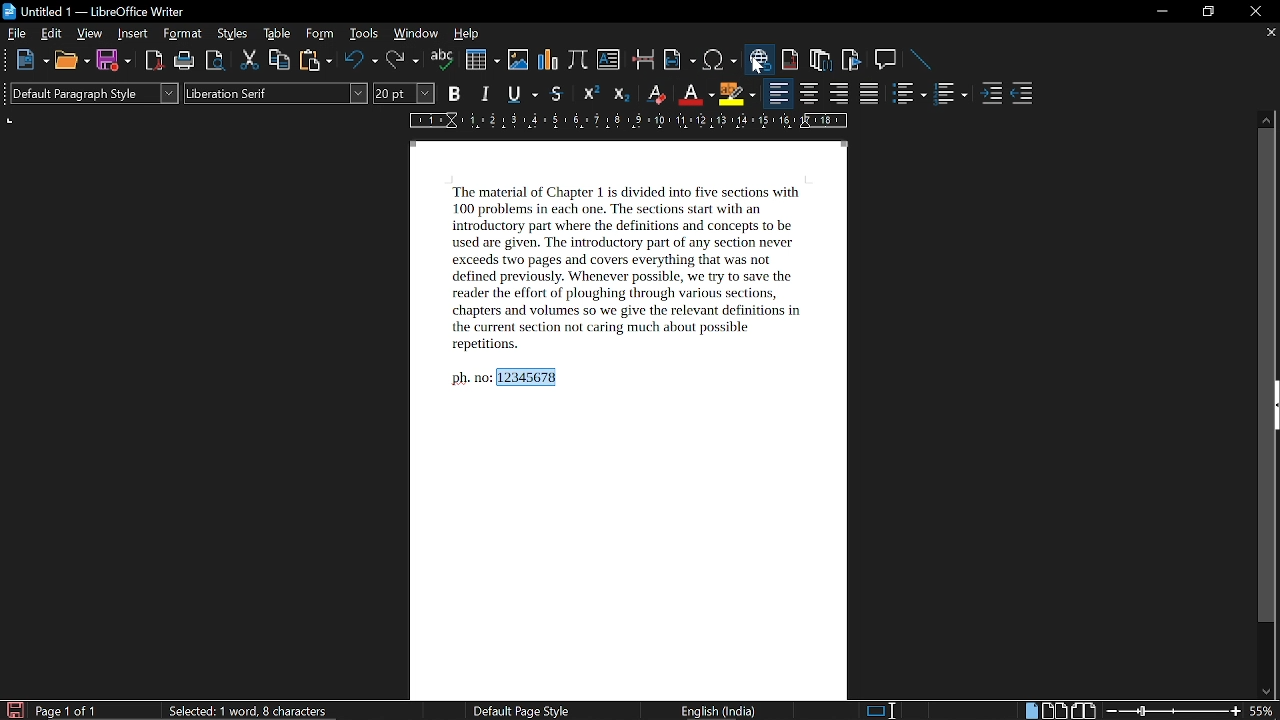 The width and height of the screenshot is (1280, 720). What do you see at coordinates (578, 59) in the screenshot?
I see `insert formula` at bounding box center [578, 59].